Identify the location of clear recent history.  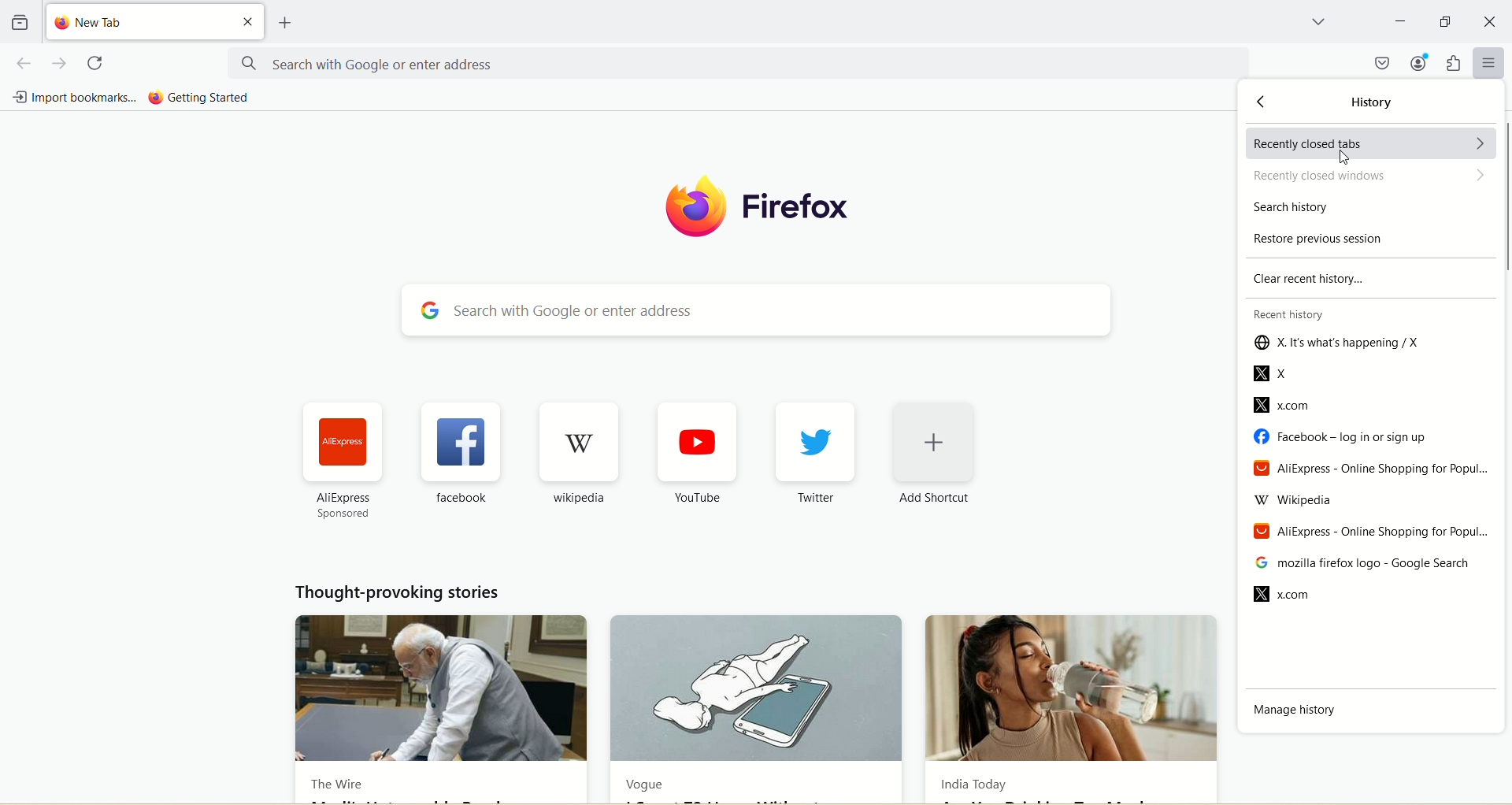
(1373, 276).